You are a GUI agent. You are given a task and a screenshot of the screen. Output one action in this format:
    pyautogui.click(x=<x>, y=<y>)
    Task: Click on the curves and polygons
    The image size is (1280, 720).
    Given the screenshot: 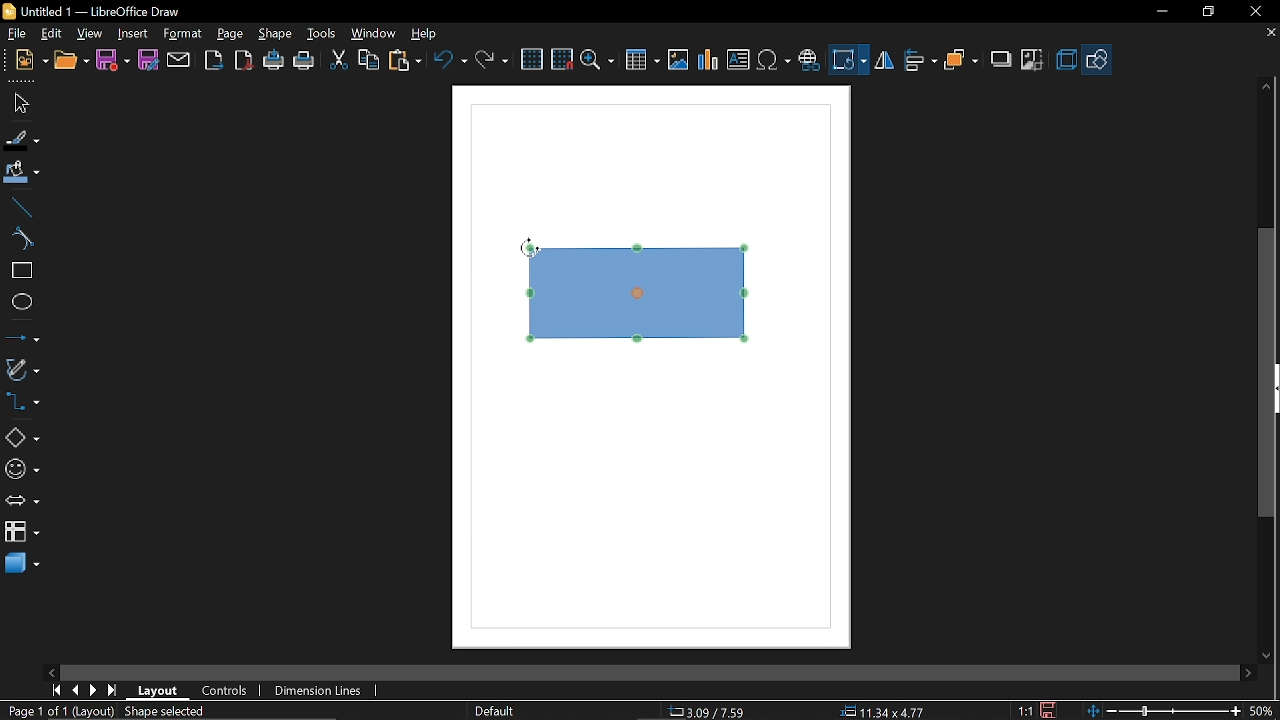 What is the action you would take?
    pyautogui.click(x=22, y=370)
    